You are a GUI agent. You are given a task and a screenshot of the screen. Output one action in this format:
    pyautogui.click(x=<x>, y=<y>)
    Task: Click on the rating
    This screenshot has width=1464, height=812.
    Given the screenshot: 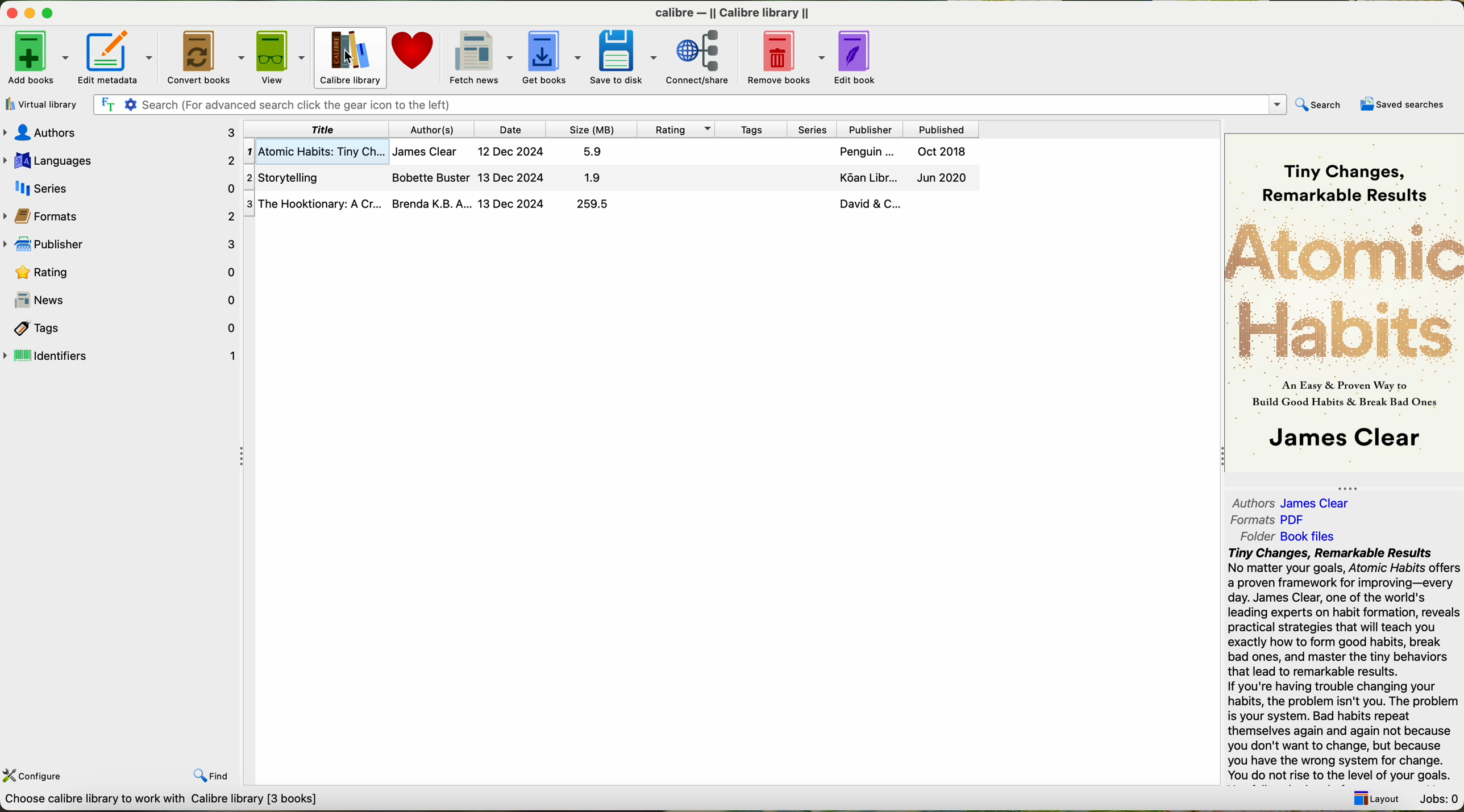 What is the action you would take?
    pyautogui.click(x=673, y=128)
    